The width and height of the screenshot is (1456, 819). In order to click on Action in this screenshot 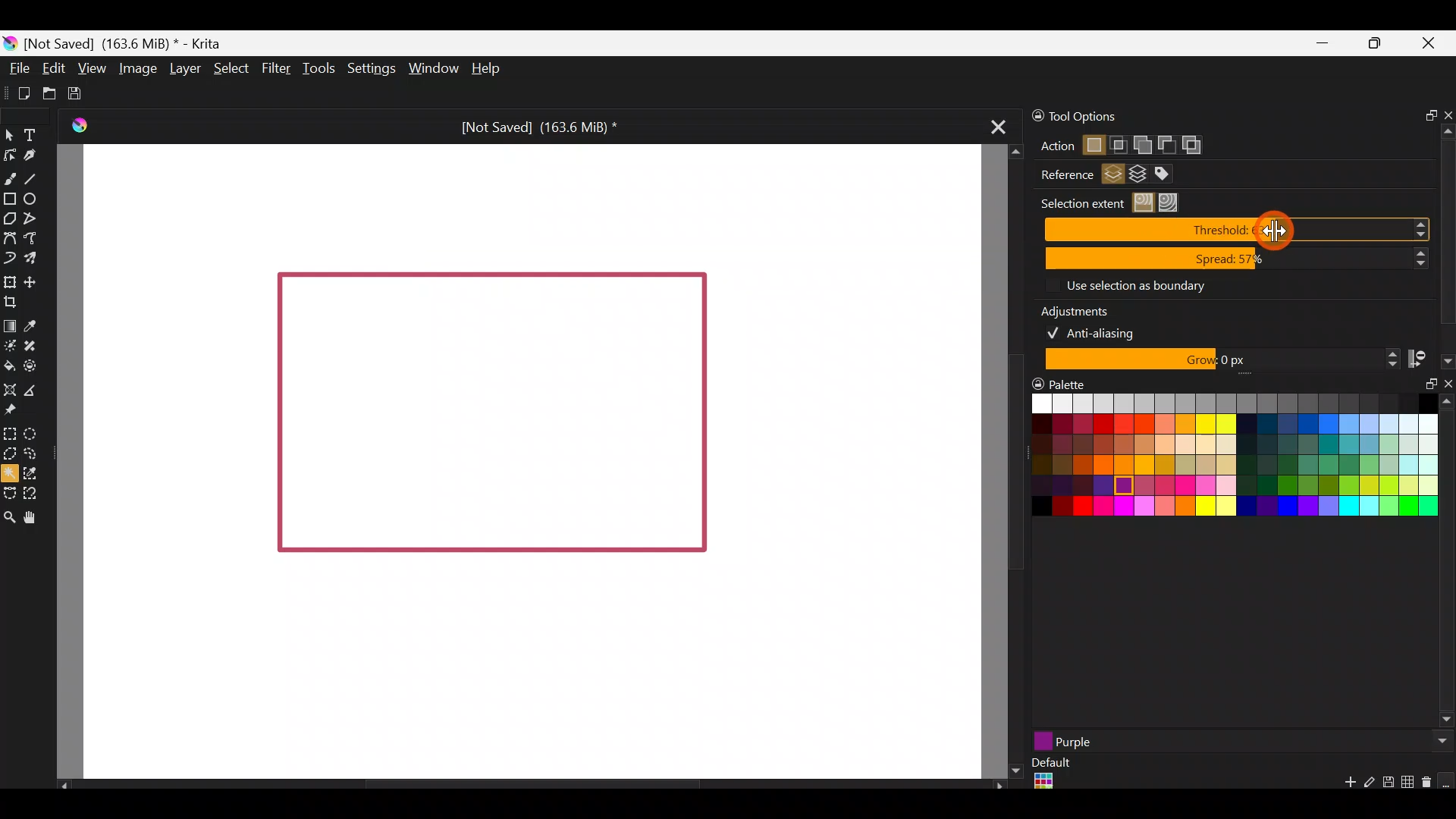, I will do `click(1050, 146)`.